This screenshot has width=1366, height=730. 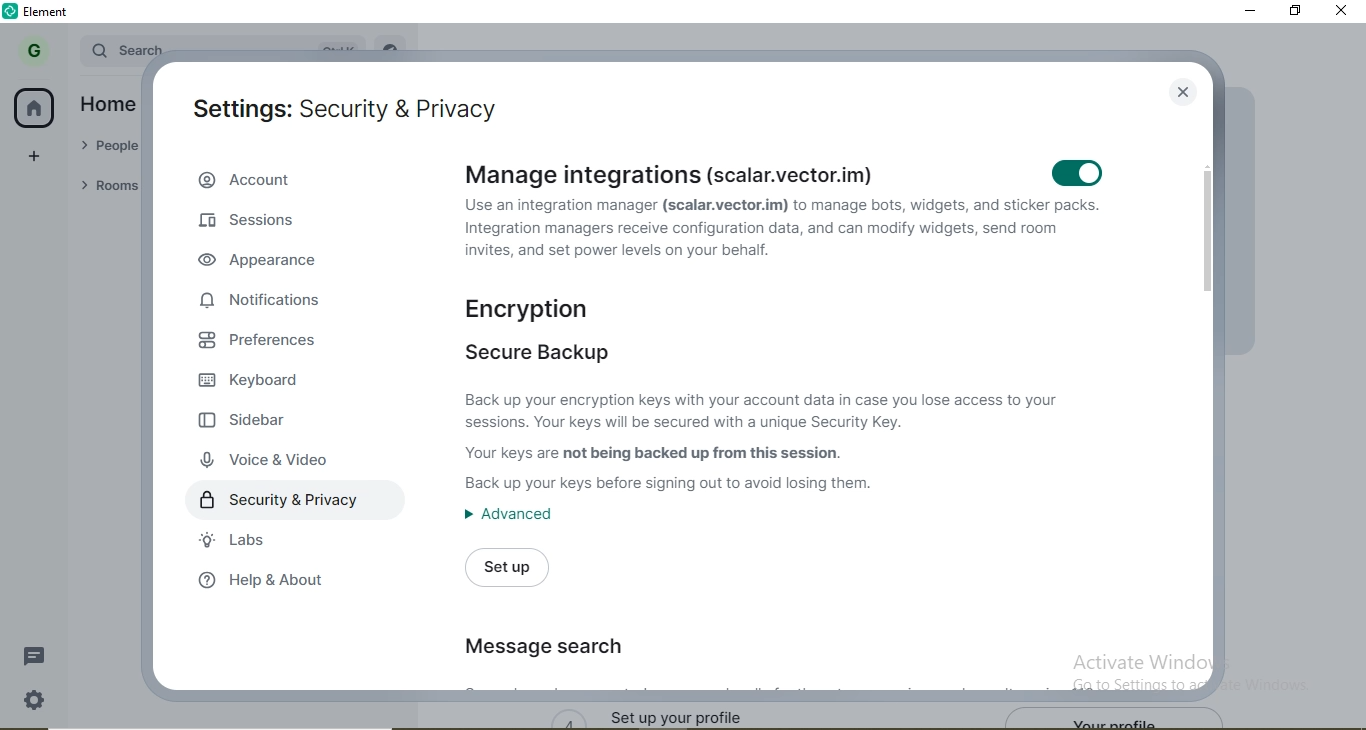 What do you see at coordinates (51, 12) in the screenshot?
I see `element` at bounding box center [51, 12].